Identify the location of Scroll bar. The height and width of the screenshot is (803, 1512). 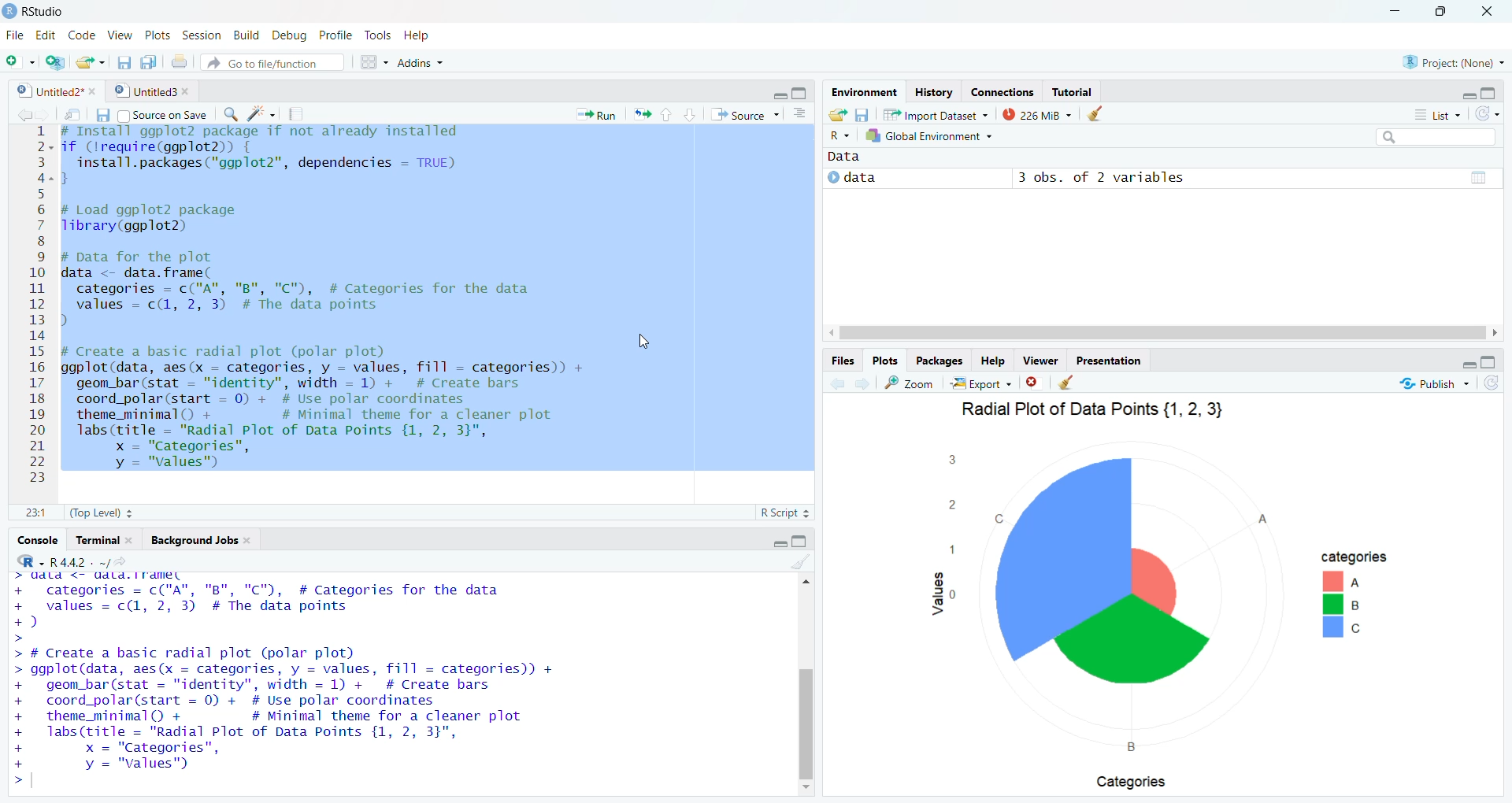
(1160, 333).